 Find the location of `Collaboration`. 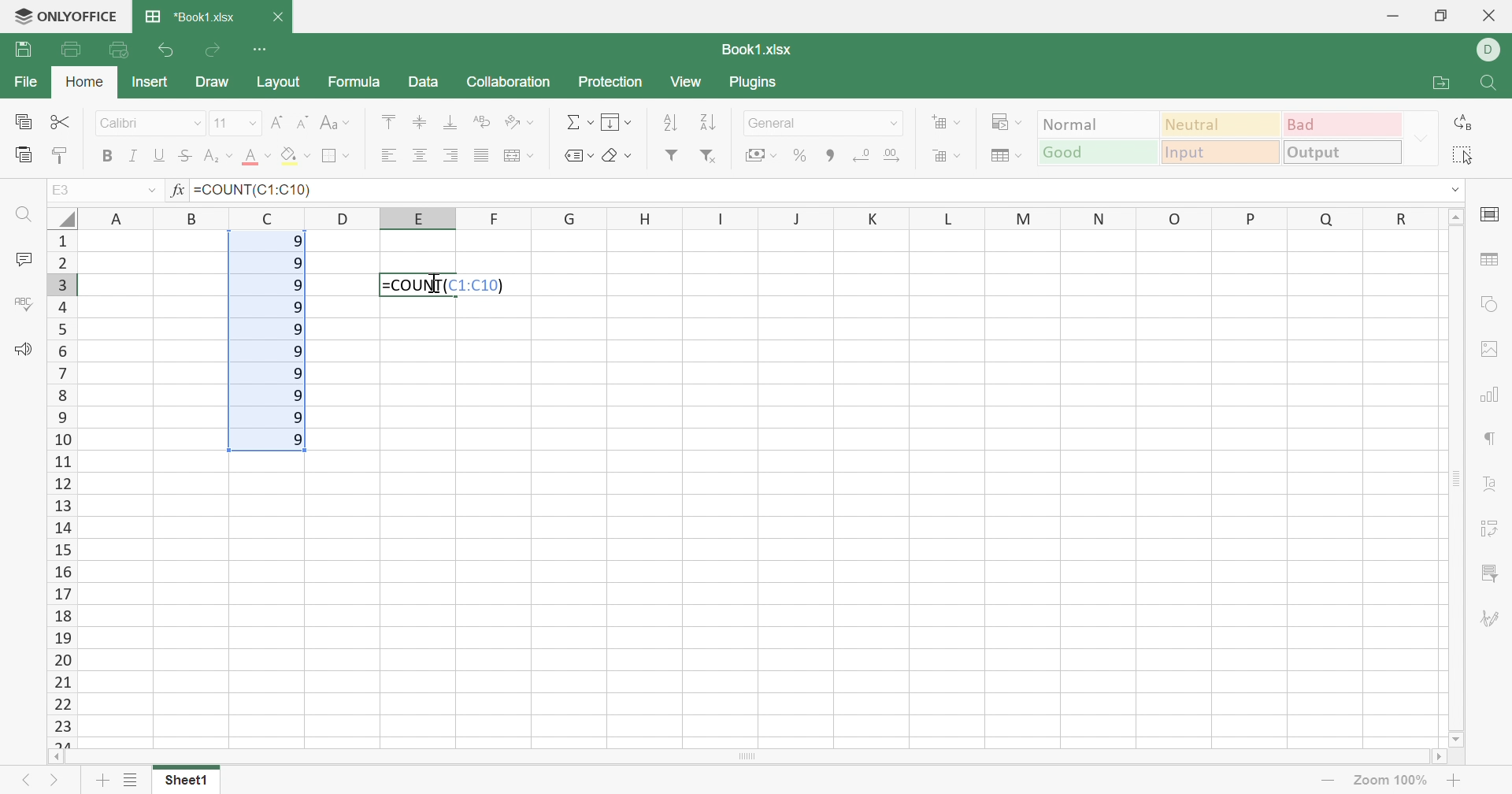

Collaboration is located at coordinates (511, 85).